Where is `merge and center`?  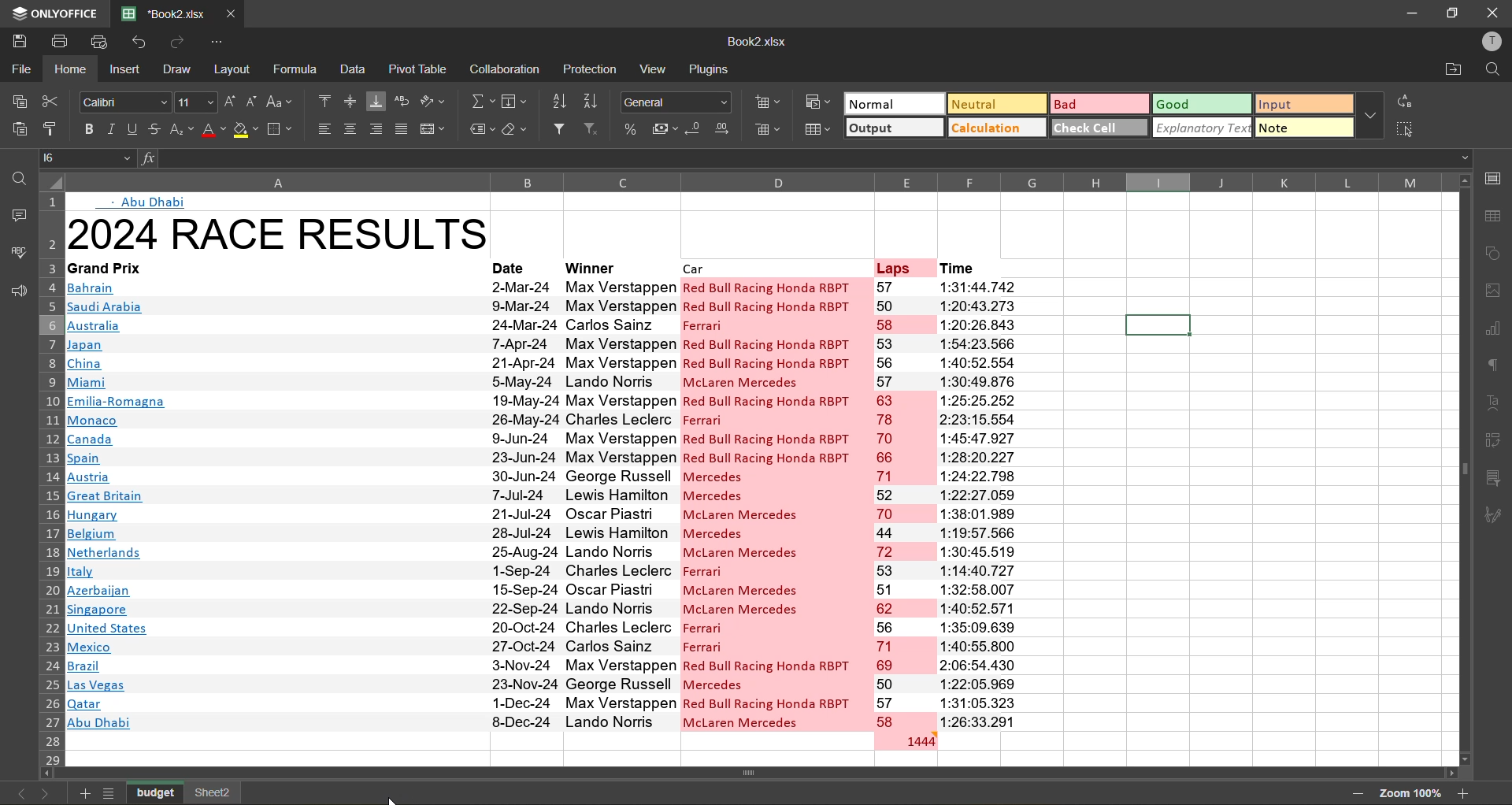 merge and center is located at coordinates (434, 130).